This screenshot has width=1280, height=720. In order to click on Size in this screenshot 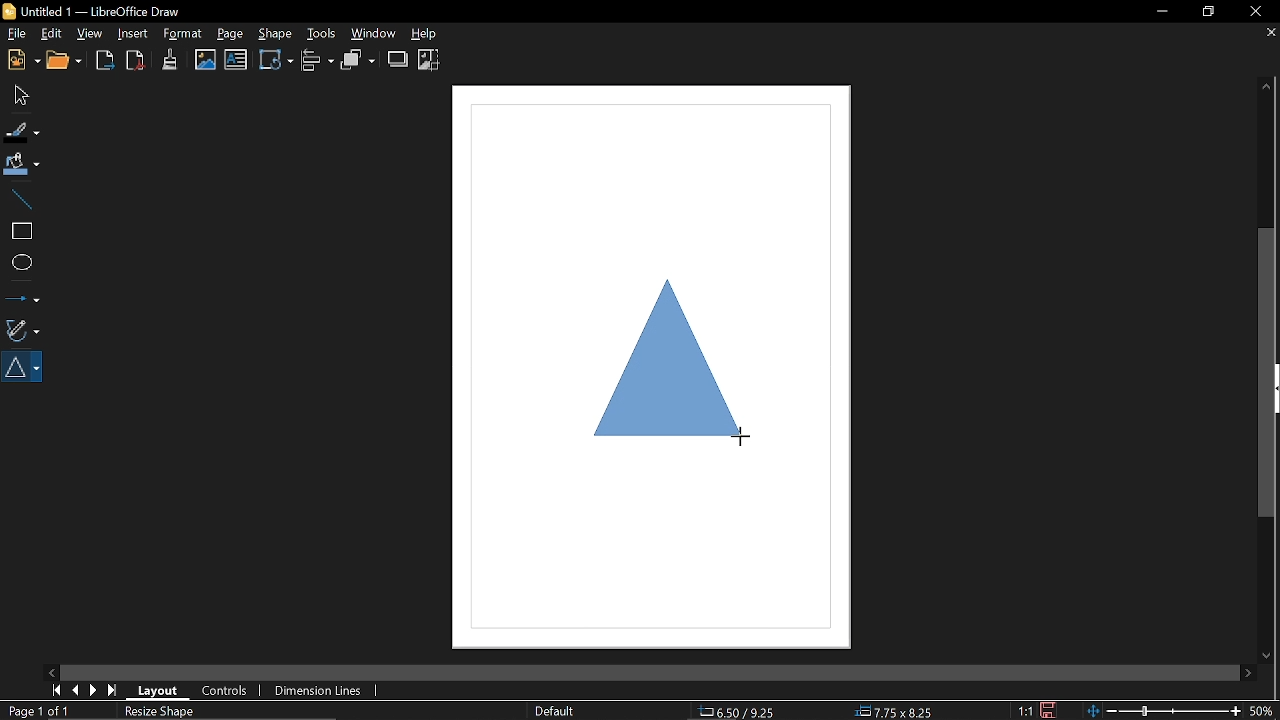, I will do `click(895, 712)`.